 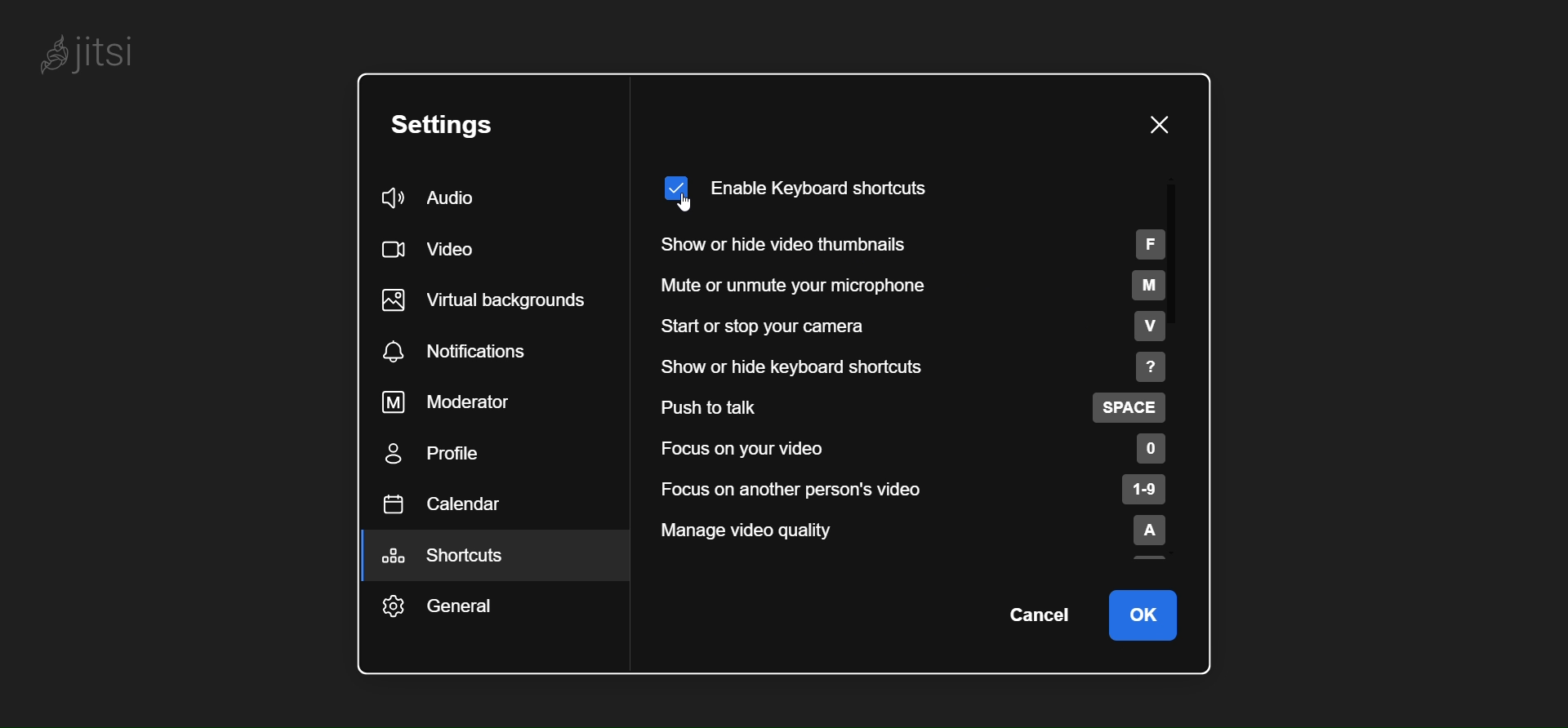 I want to click on shortcut, so click(x=452, y=557).